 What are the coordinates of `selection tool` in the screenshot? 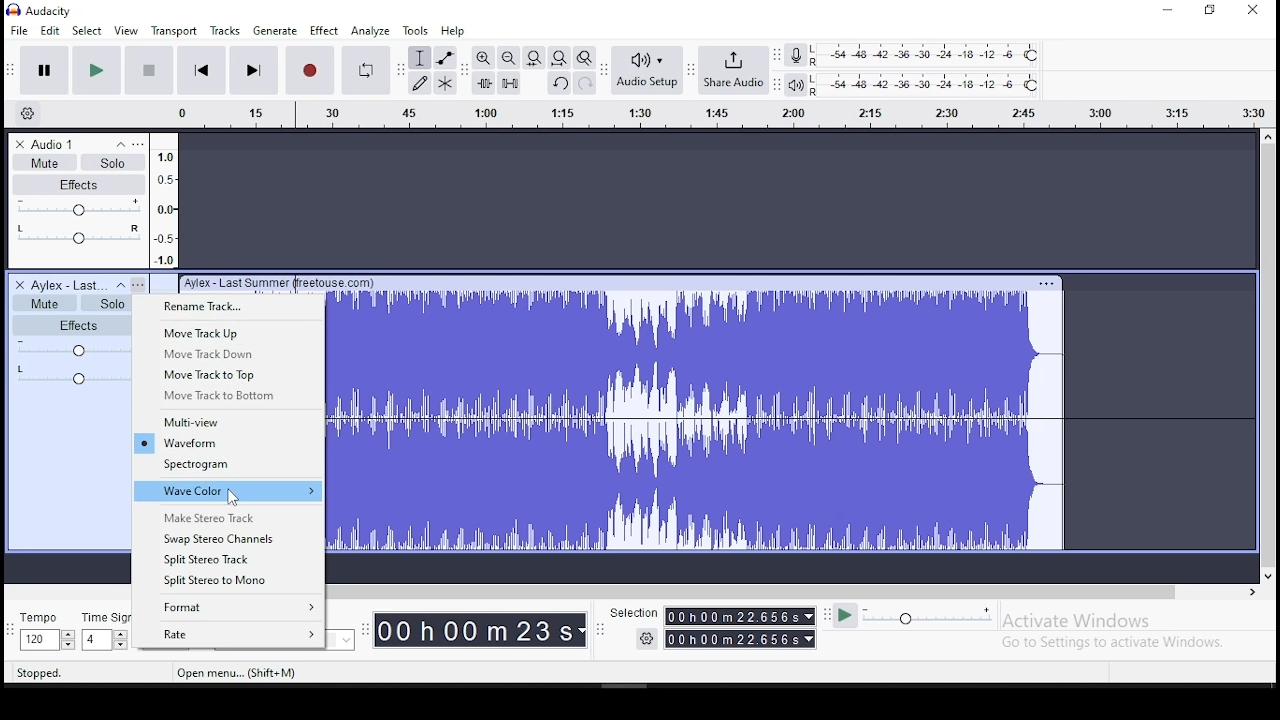 It's located at (420, 58).